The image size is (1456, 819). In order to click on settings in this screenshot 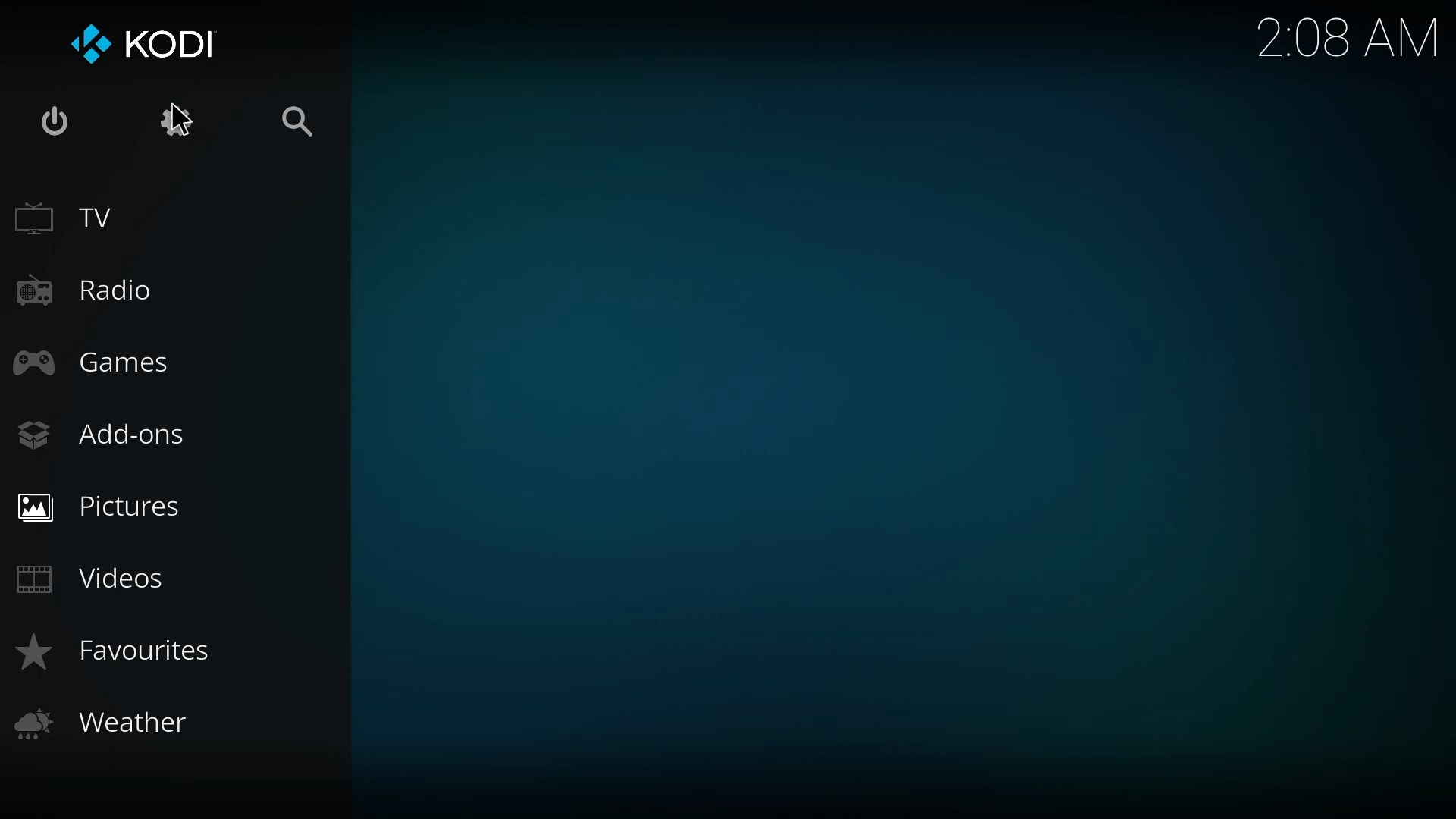, I will do `click(180, 121)`.